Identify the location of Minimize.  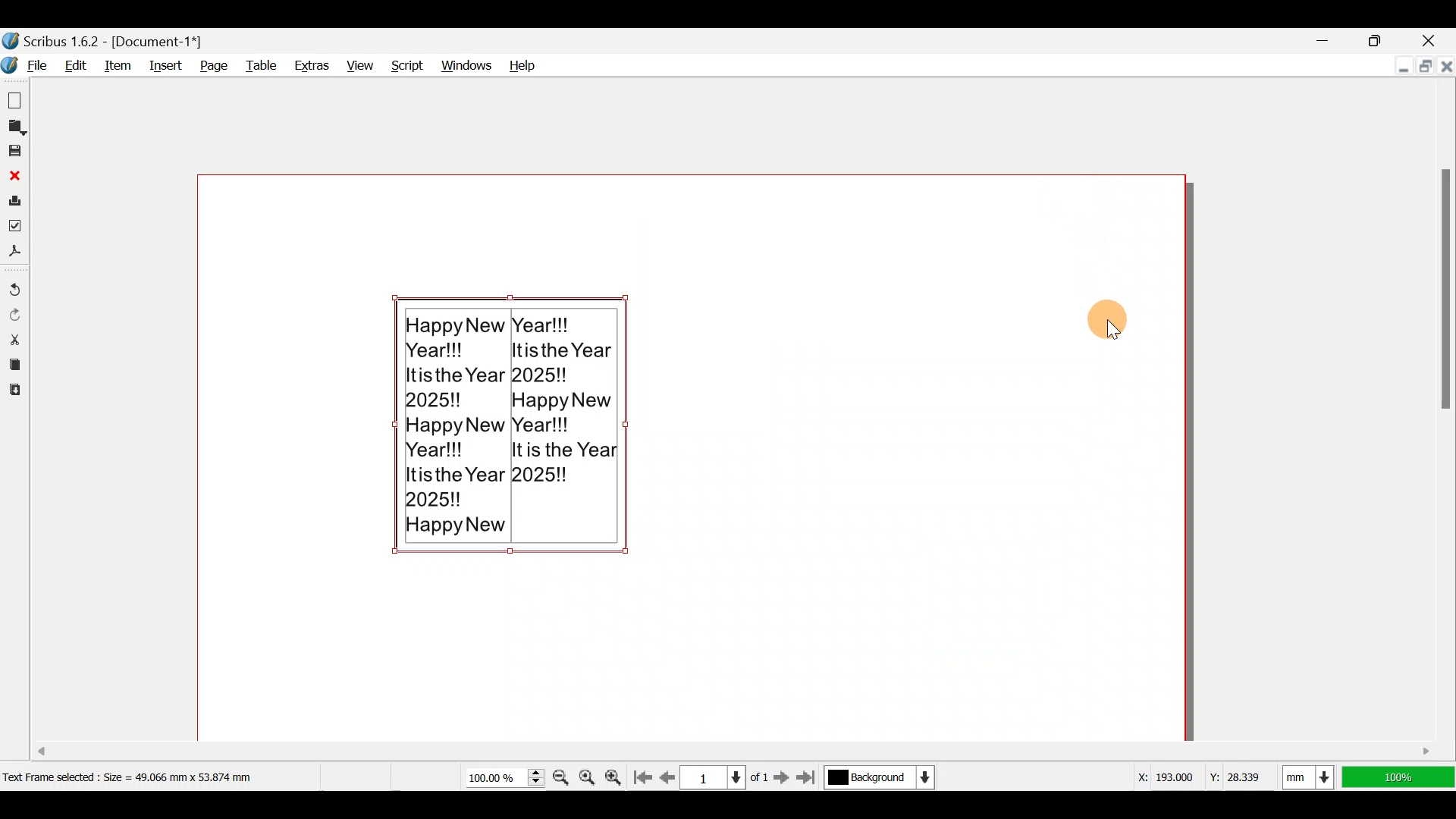
(1328, 40).